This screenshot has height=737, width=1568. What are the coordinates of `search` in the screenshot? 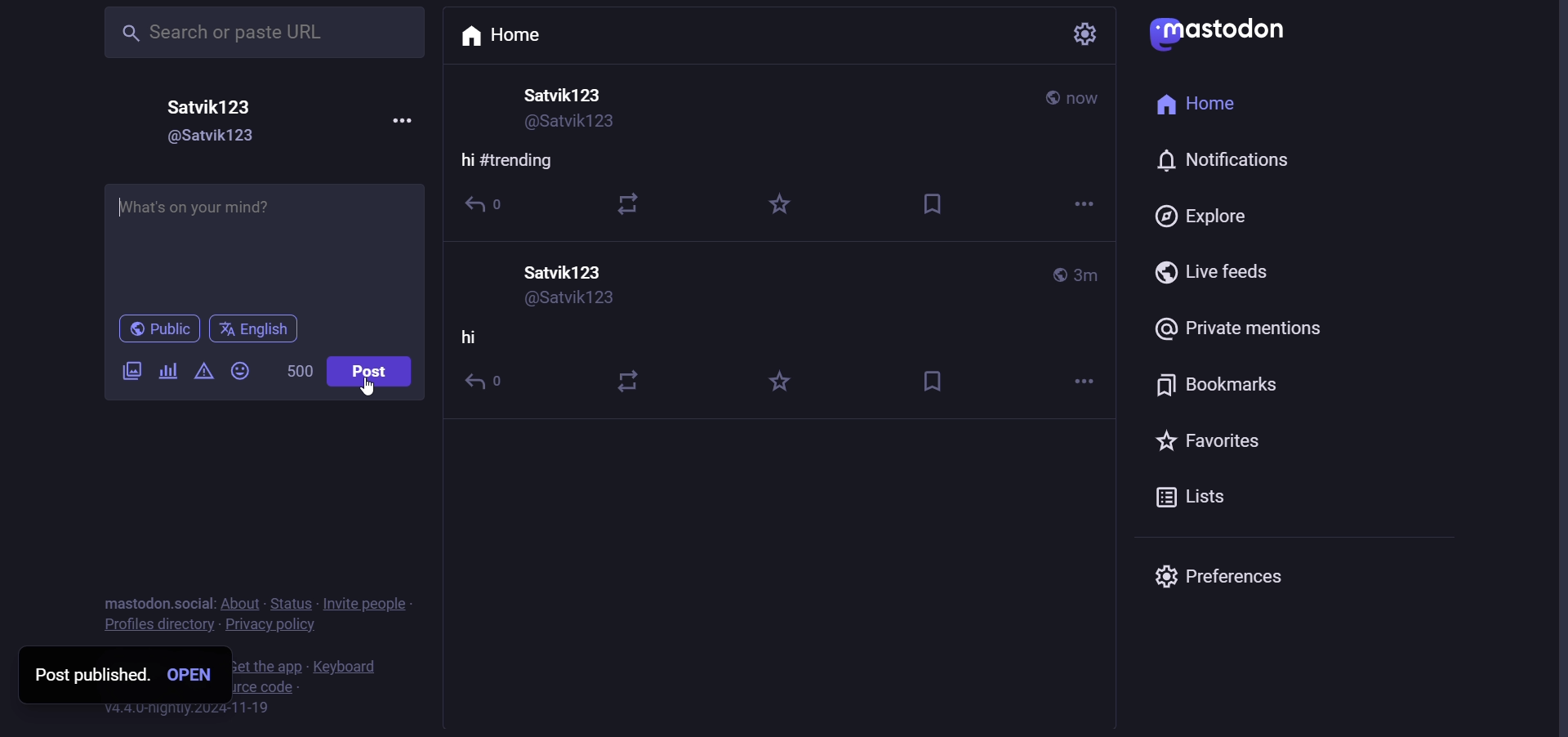 It's located at (260, 33).